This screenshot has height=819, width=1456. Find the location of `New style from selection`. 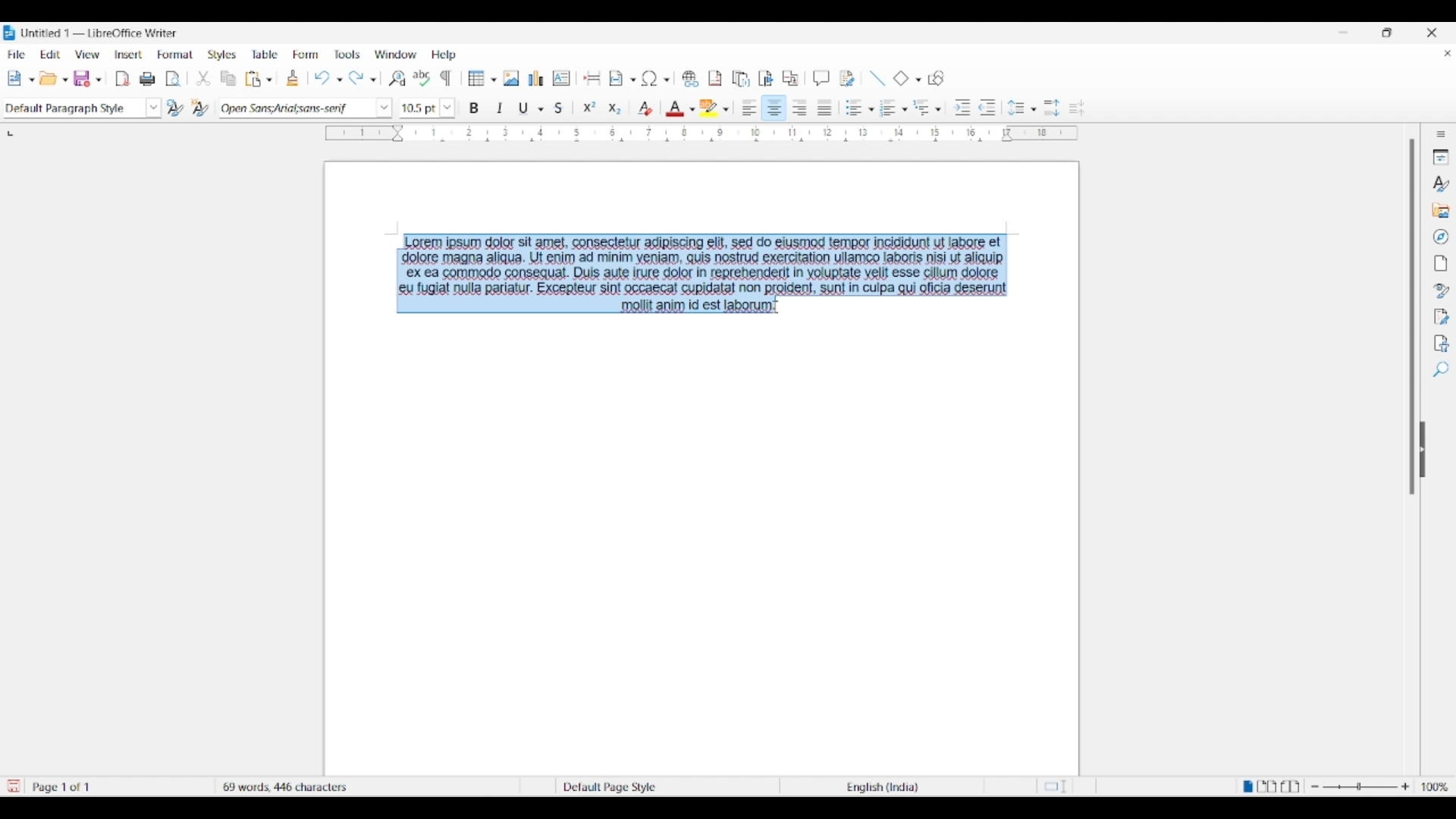

New style from selection is located at coordinates (202, 108).